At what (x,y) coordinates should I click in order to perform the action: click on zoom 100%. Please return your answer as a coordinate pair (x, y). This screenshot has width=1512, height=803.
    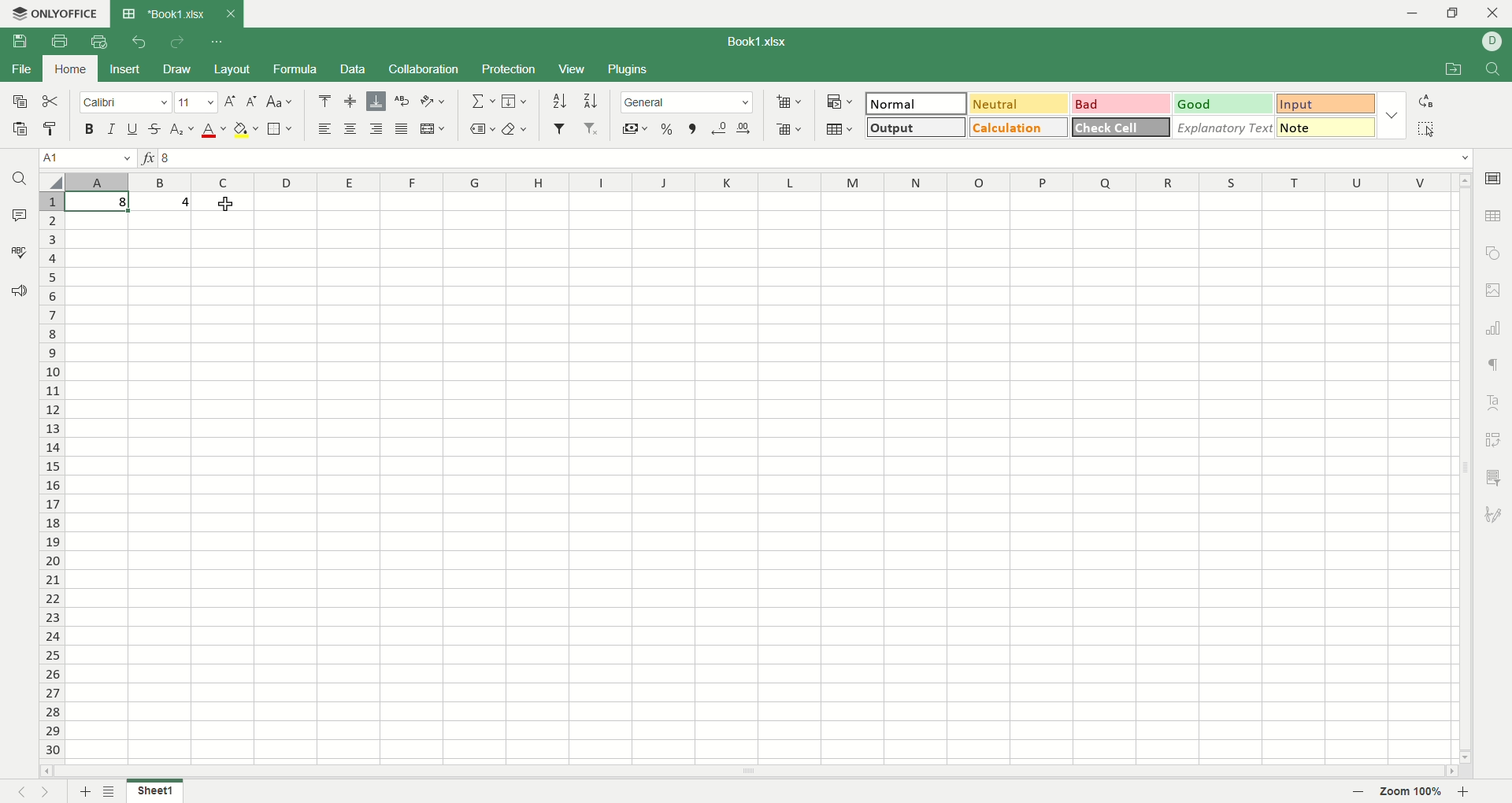
    Looking at the image, I should click on (1411, 790).